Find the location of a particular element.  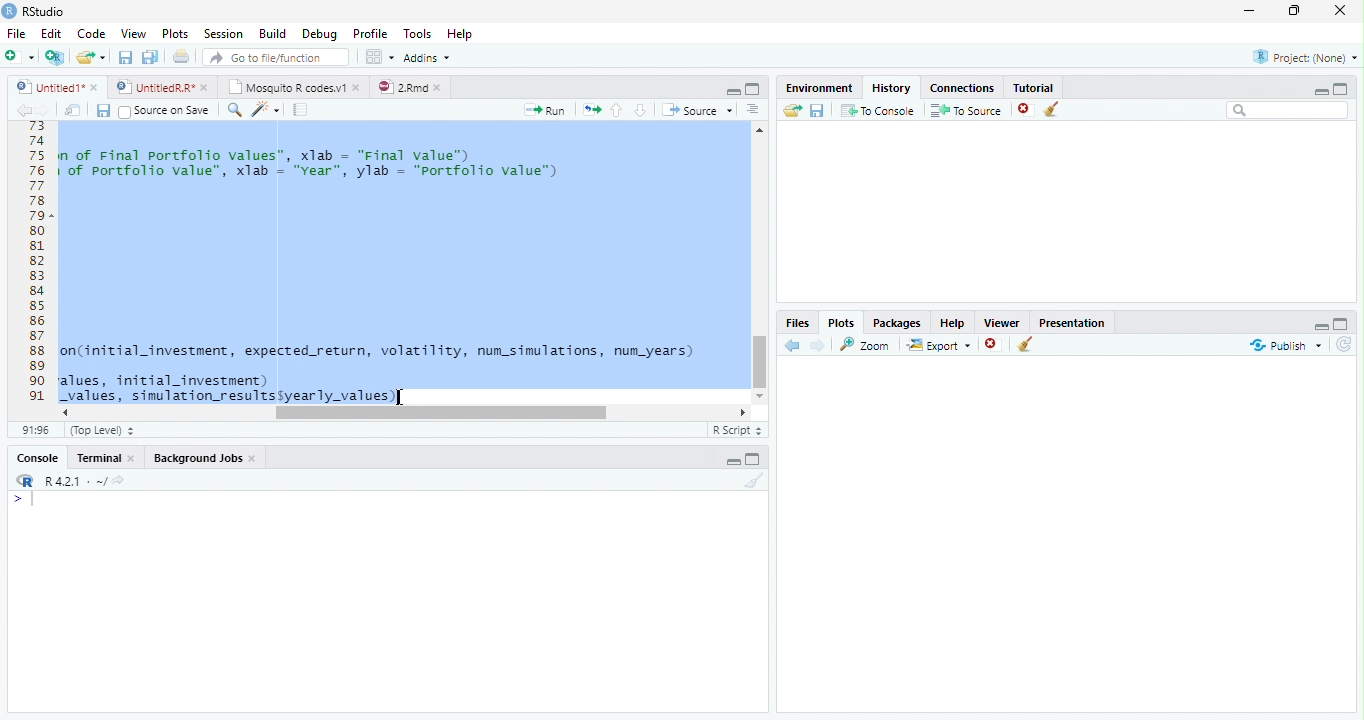

2.Rmd is located at coordinates (410, 87).